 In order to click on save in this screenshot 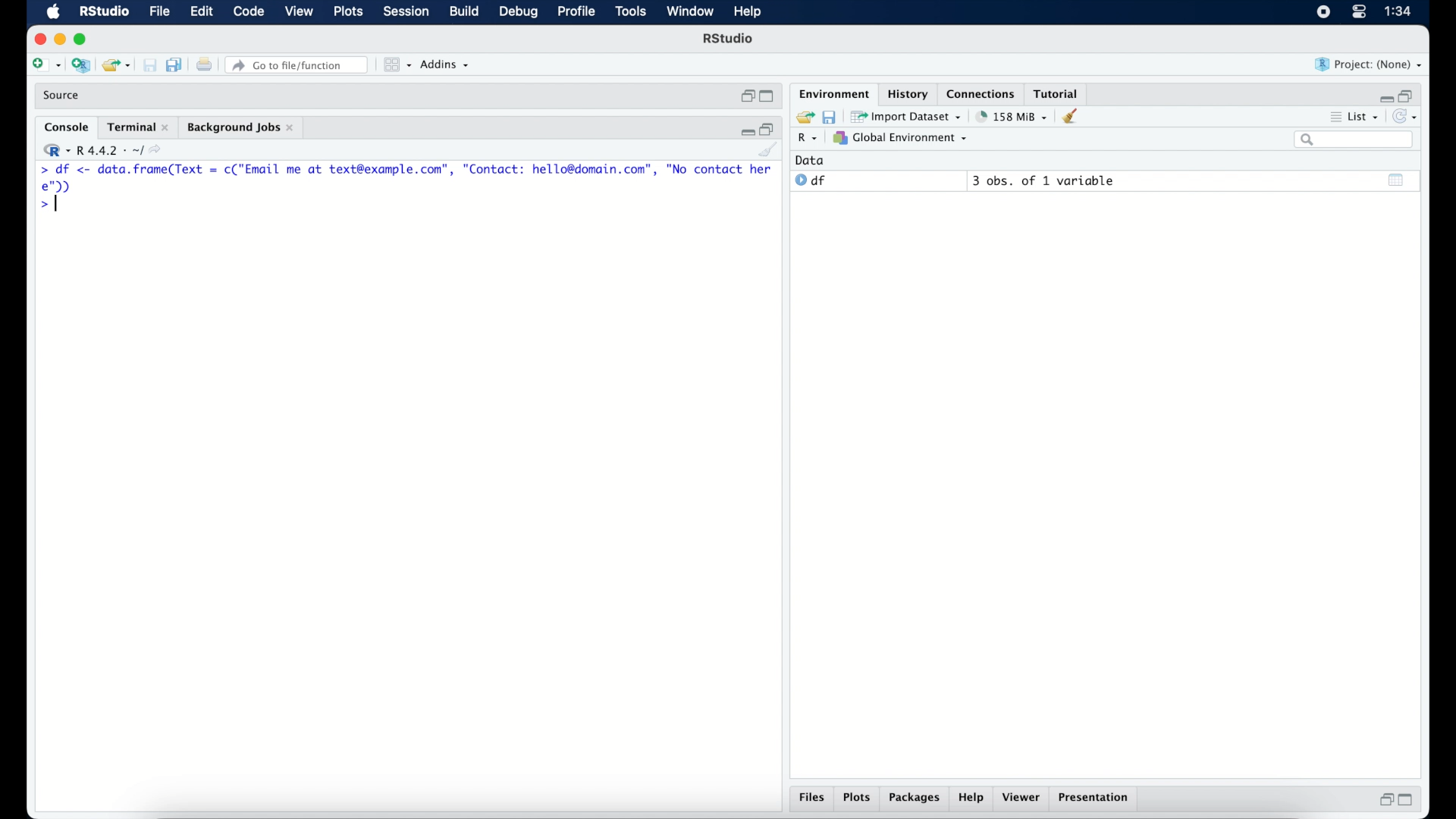, I will do `click(833, 117)`.